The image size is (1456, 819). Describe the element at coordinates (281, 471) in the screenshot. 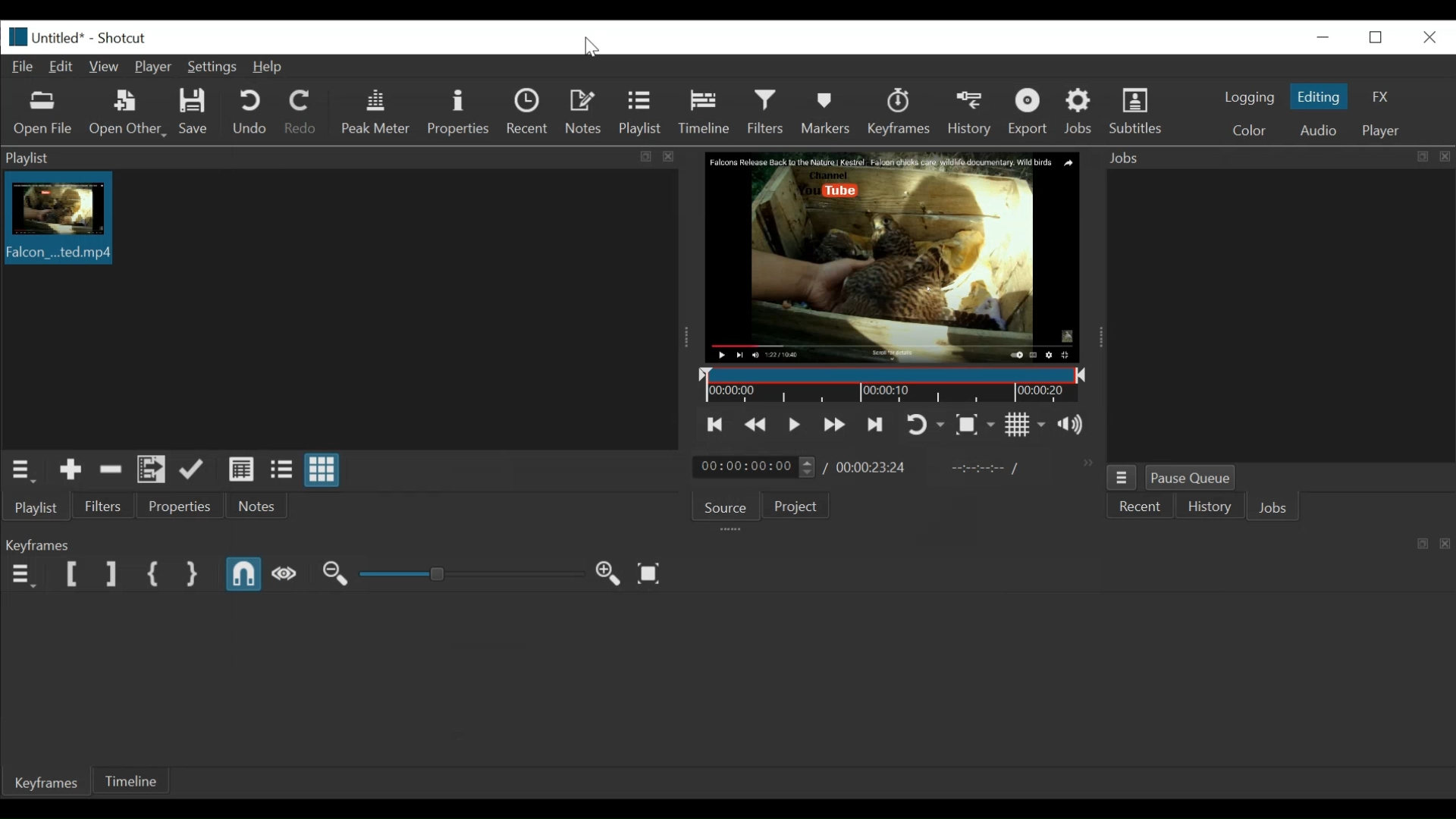

I see `View as files` at that location.